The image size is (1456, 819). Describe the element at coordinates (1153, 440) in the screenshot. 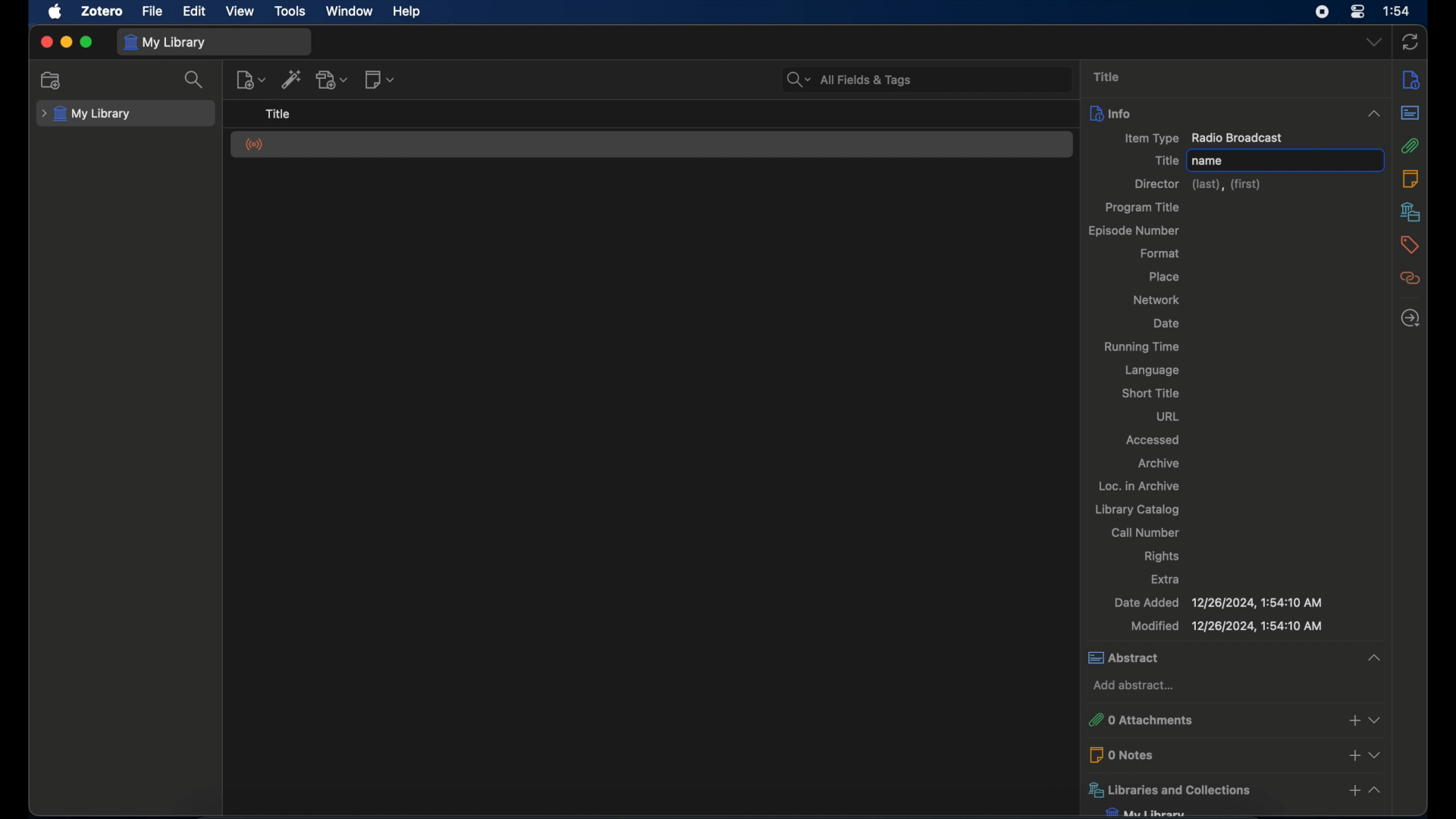

I see `accessed` at that location.